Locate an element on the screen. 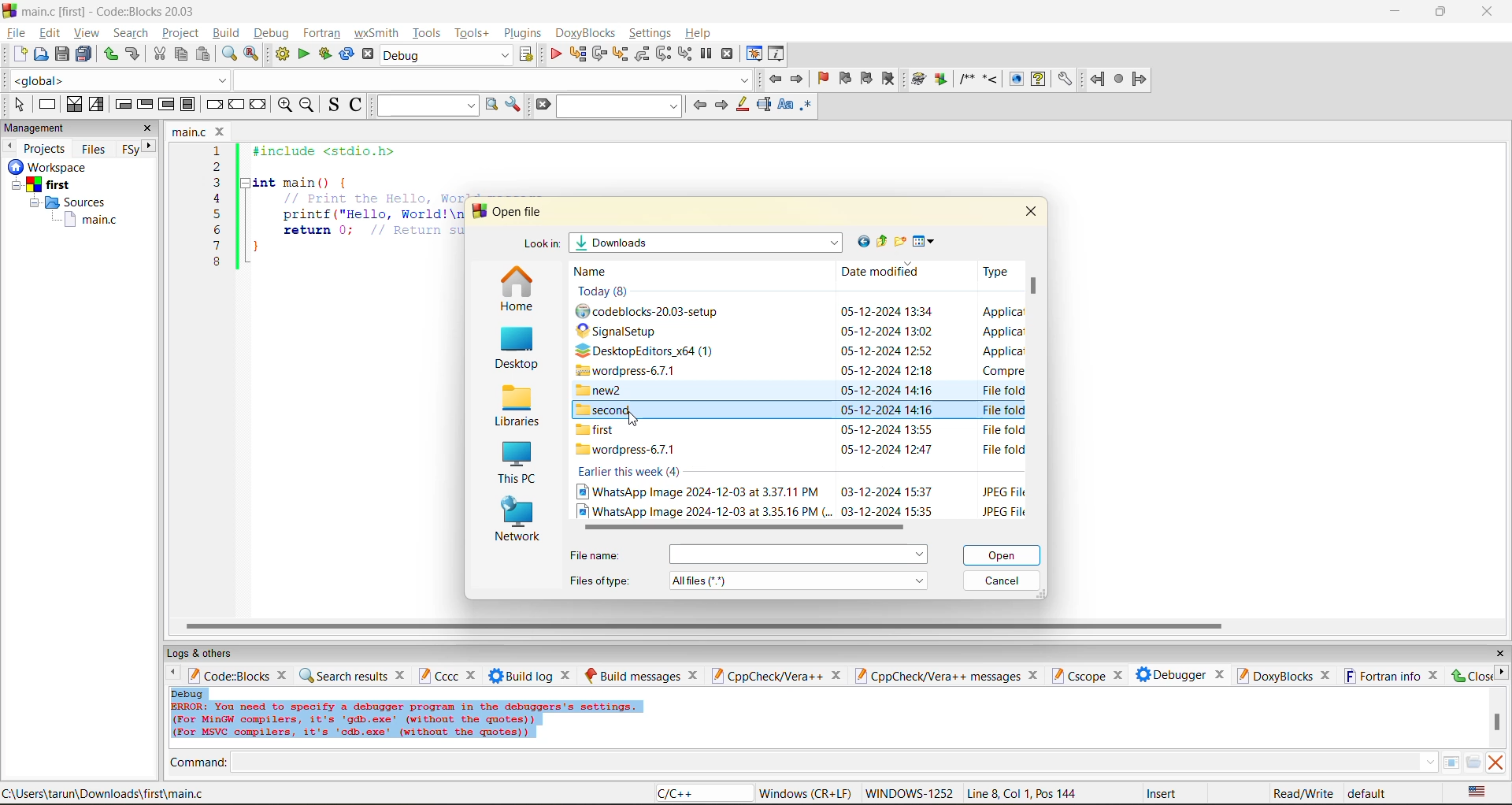  management is located at coordinates (37, 129).